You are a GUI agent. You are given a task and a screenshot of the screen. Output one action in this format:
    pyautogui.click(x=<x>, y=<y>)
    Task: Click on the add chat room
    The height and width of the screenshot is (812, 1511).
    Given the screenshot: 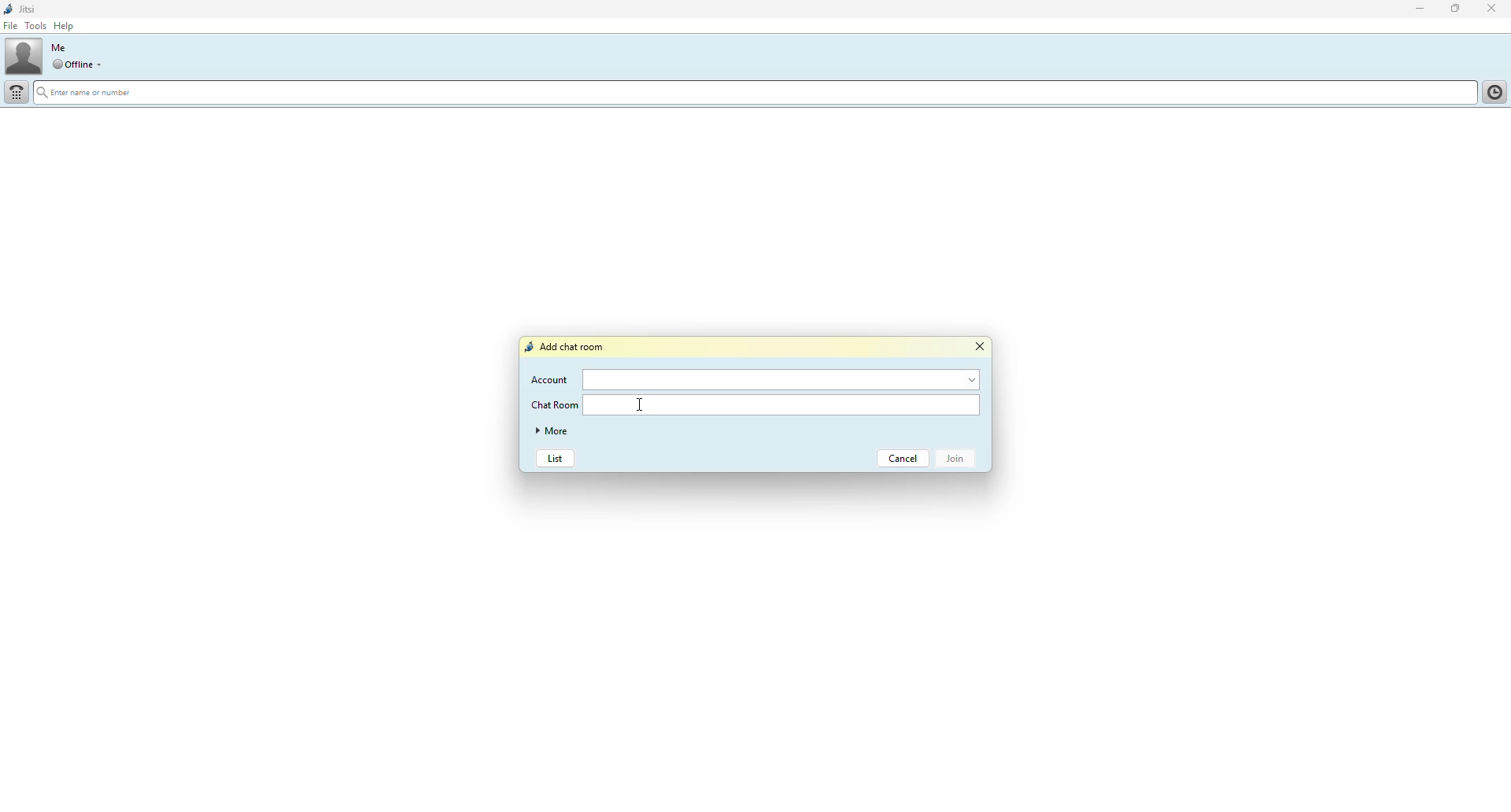 What is the action you would take?
    pyautogui.click(x=567, y=347)
    